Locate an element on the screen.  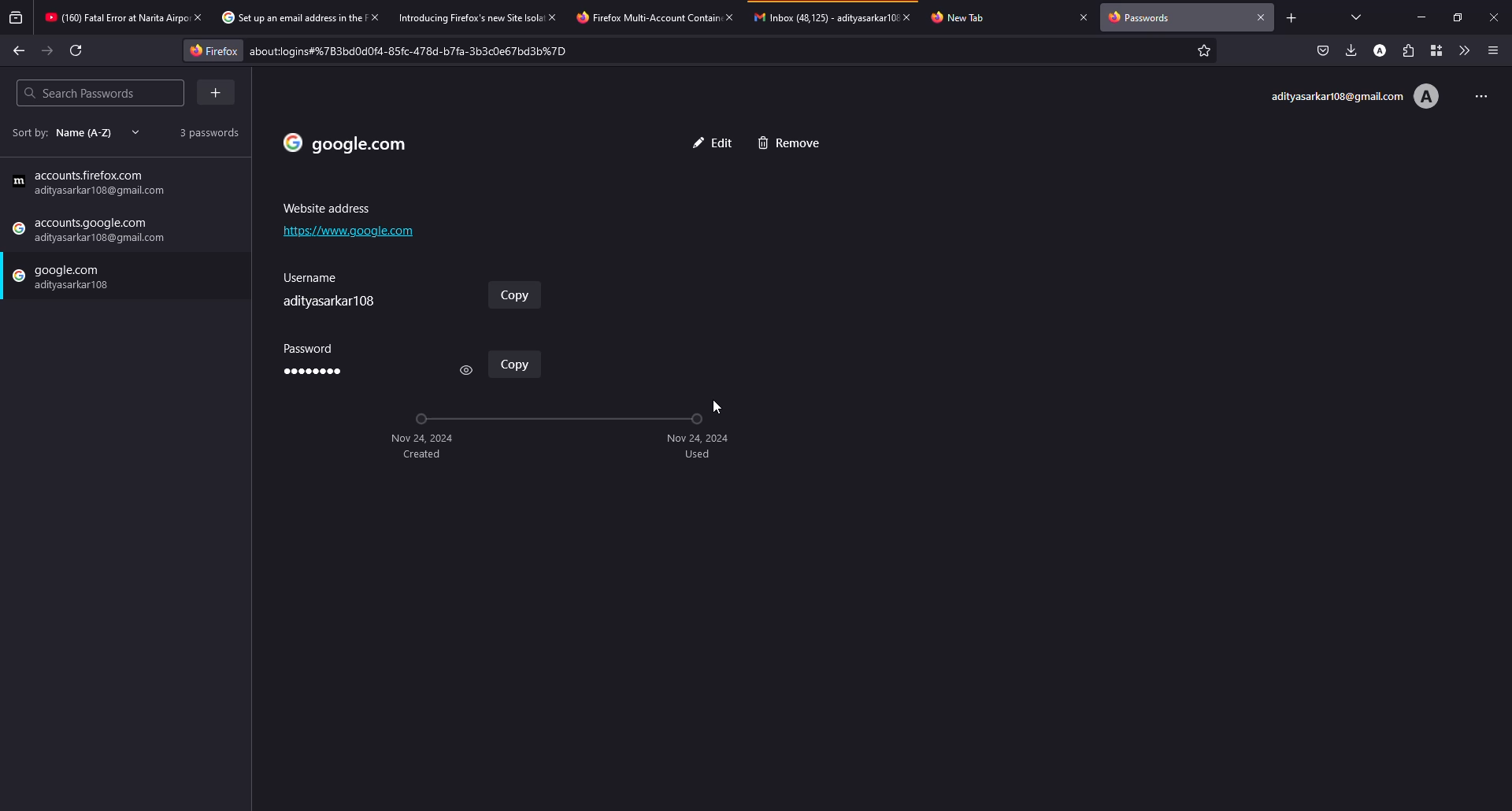
back is located at coordinates (19, 50).